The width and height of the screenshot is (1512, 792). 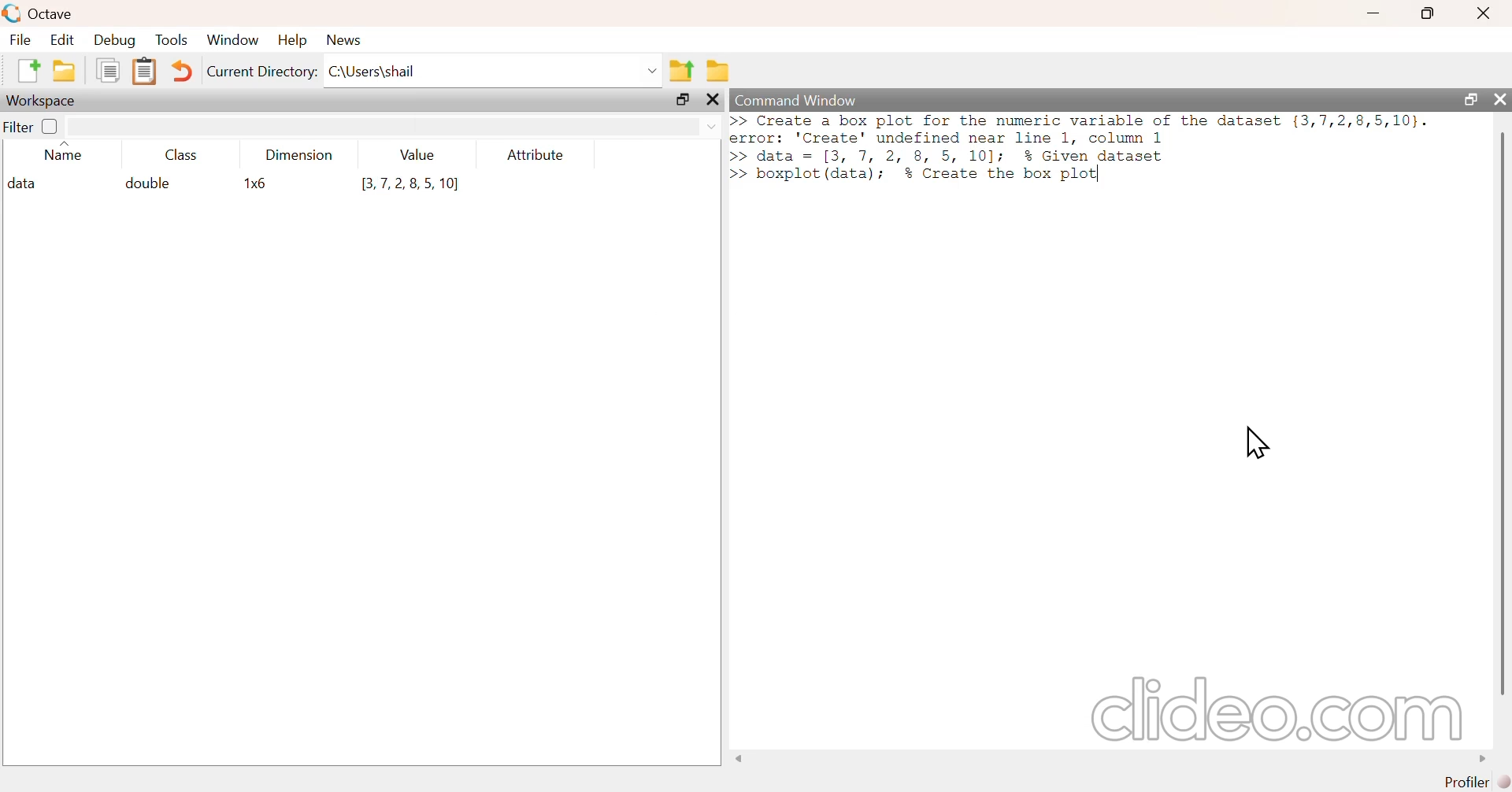 I want to click on name, so click(x=60, y=155).